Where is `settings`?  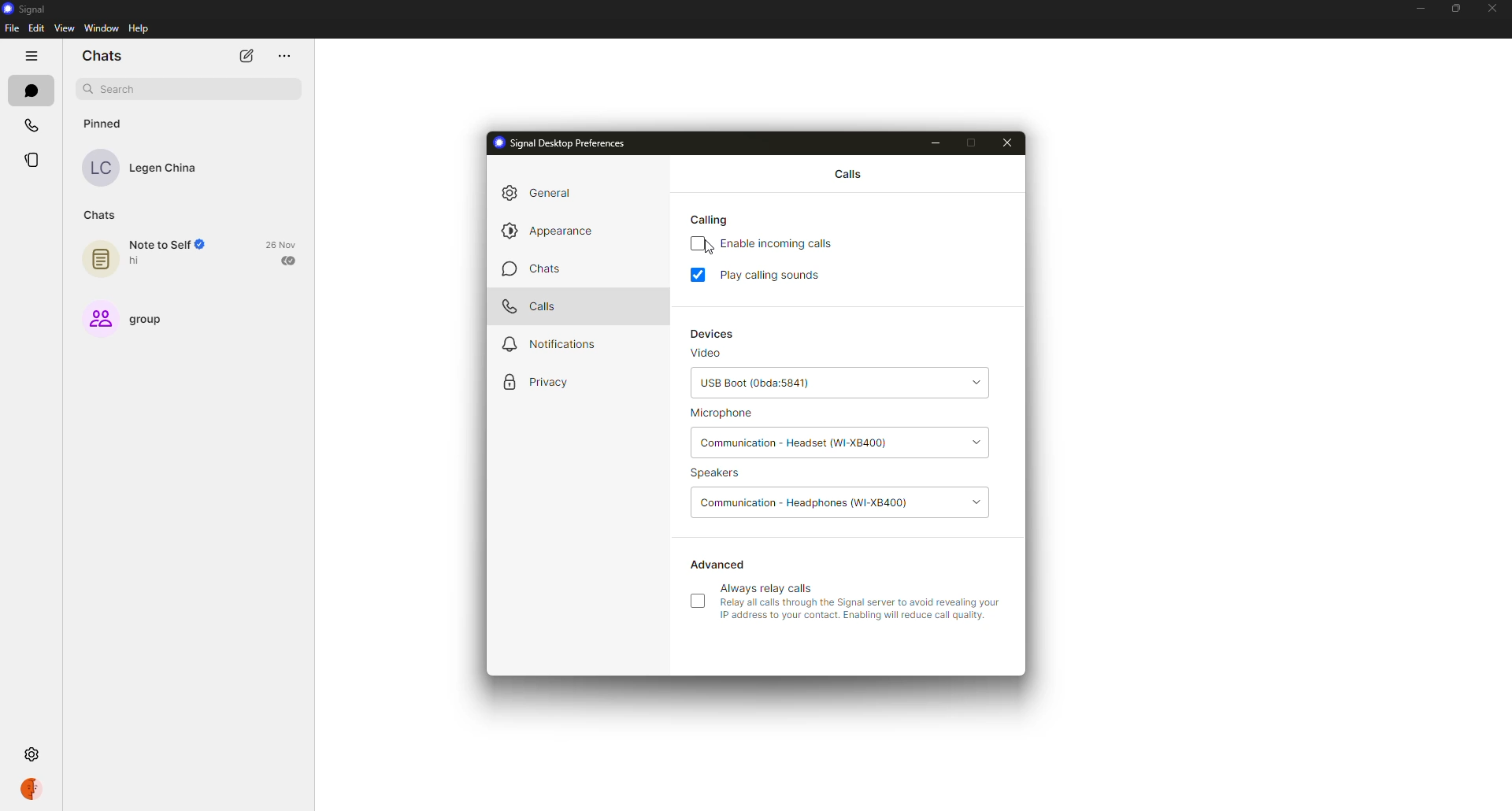
settings is located at coordinates (33, 754).